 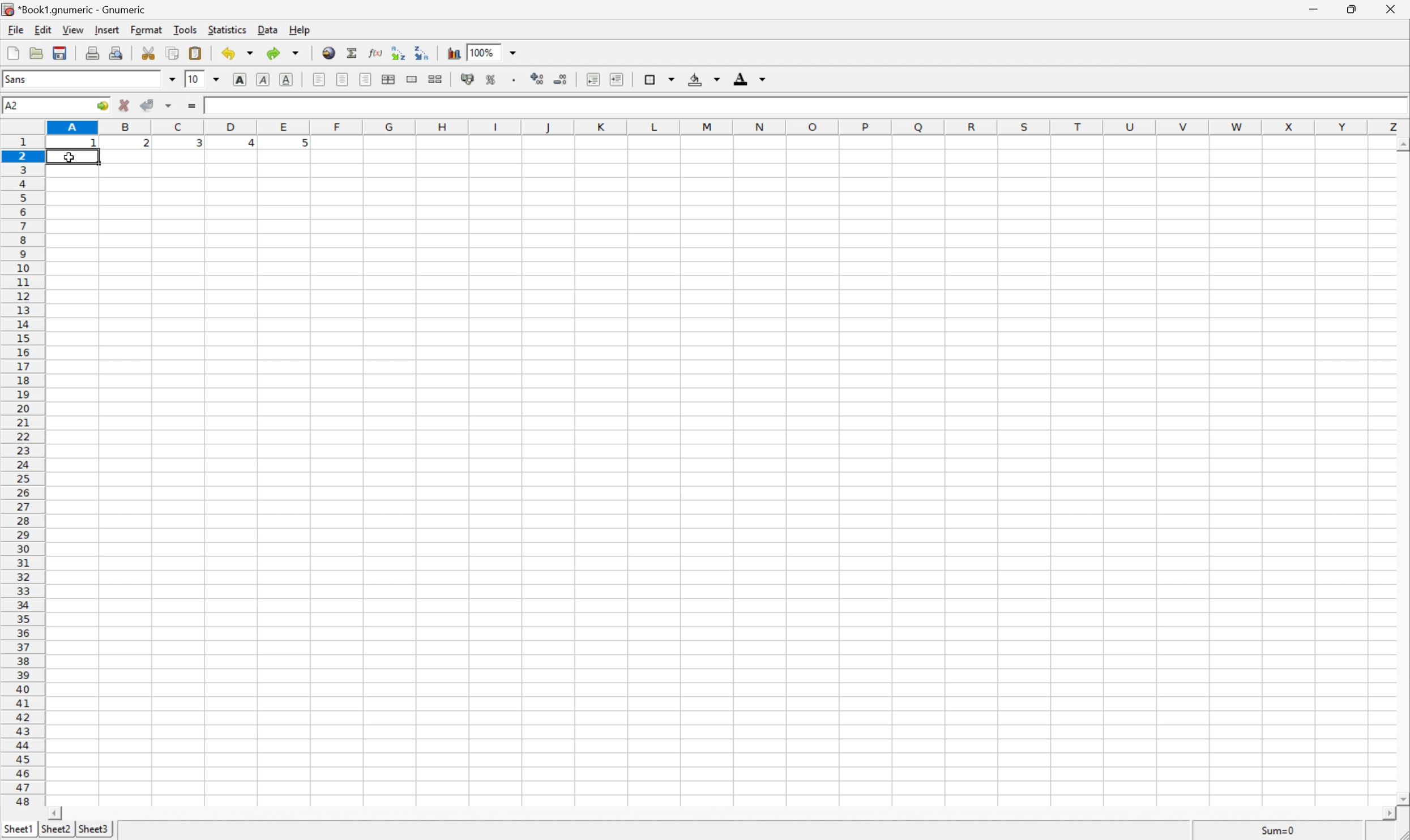 What do you see at coordinates (466, 79) in the screenshot?
I see `format selection as accounting` at bounding box center [466, 79].